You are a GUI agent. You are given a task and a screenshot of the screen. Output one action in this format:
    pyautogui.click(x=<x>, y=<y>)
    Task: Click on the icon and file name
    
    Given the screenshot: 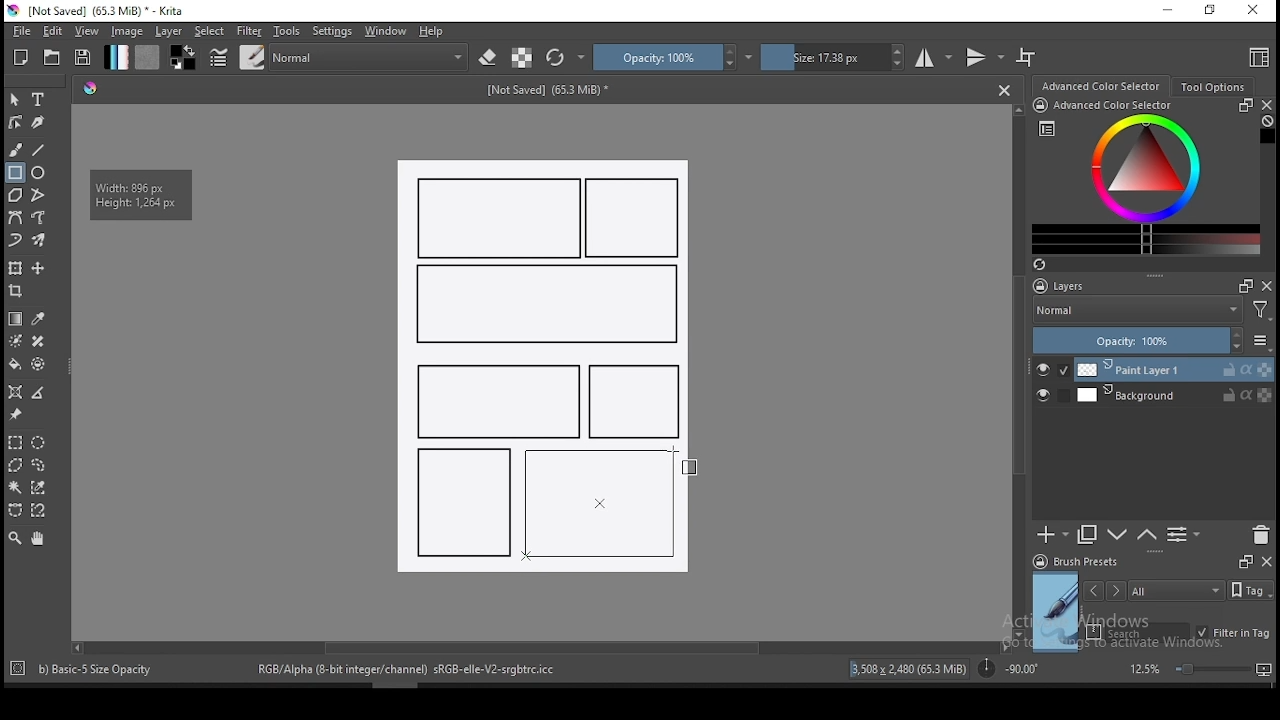 What is the action you would take?
    pyautogui.click(x=99, y=11)
    